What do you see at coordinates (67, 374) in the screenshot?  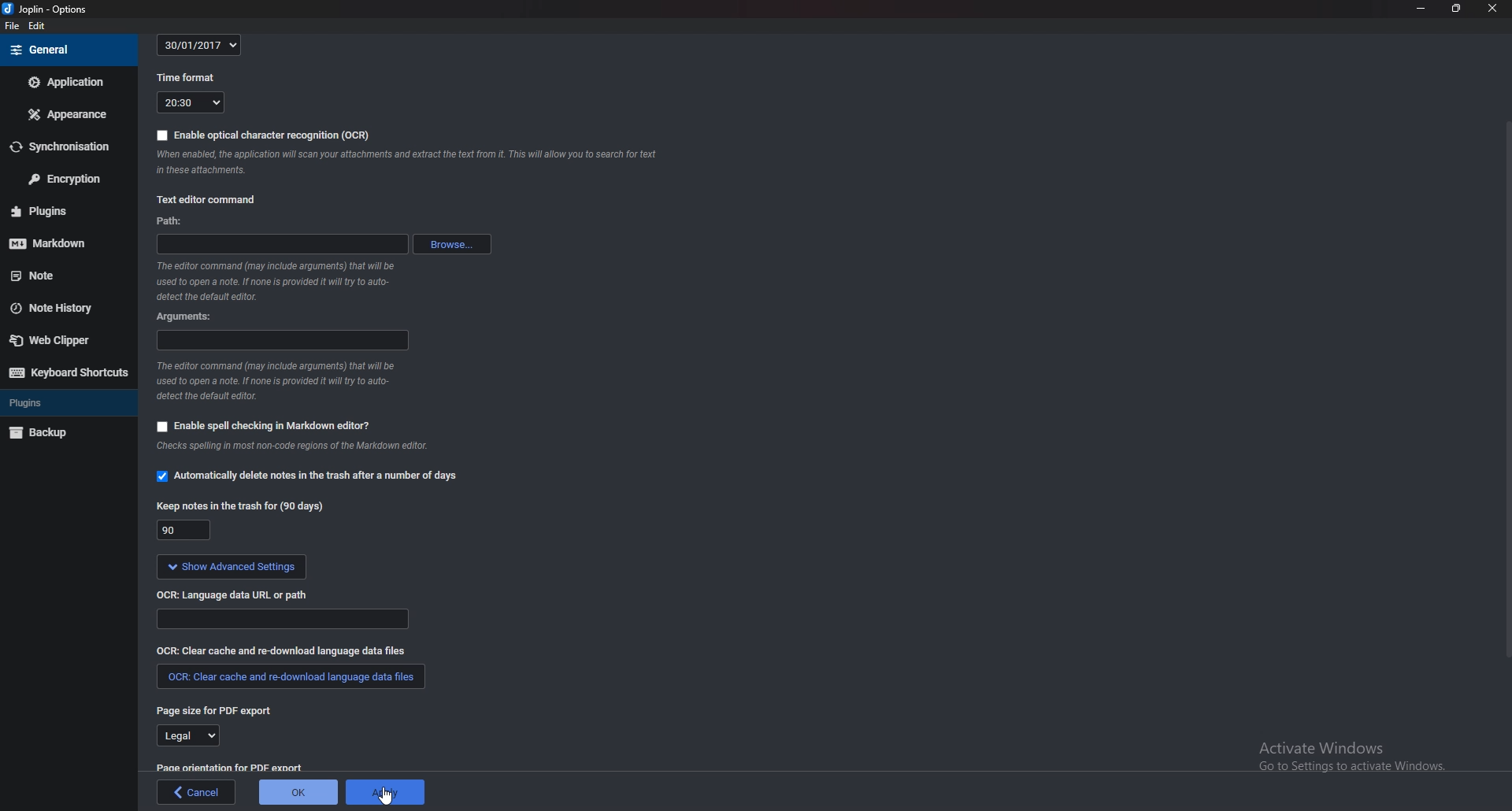 I see `Keyboard shortcuts` at bounding box center [67, 374].